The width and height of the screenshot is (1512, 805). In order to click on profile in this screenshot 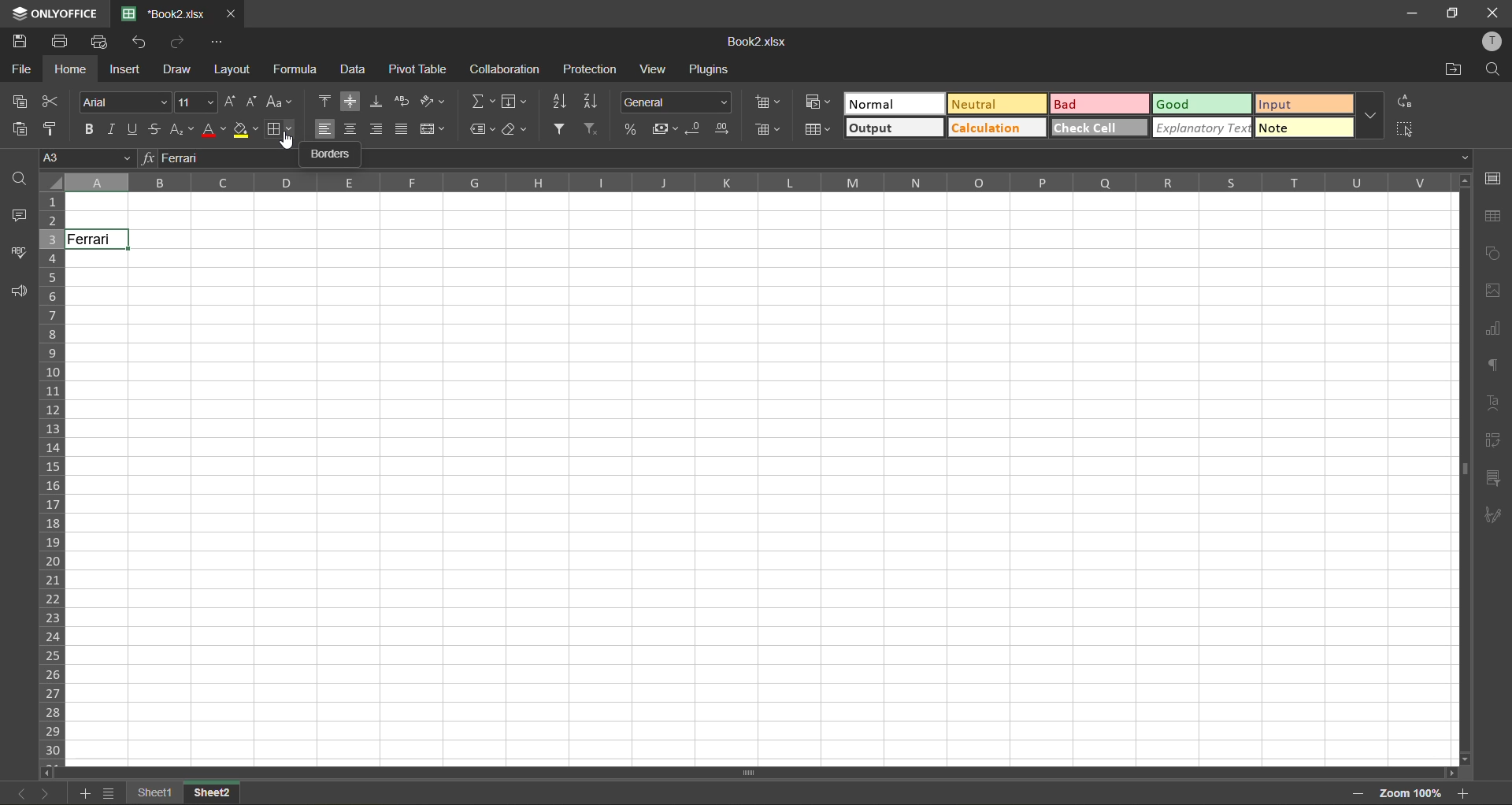, I will do `click(1490, 42)`.